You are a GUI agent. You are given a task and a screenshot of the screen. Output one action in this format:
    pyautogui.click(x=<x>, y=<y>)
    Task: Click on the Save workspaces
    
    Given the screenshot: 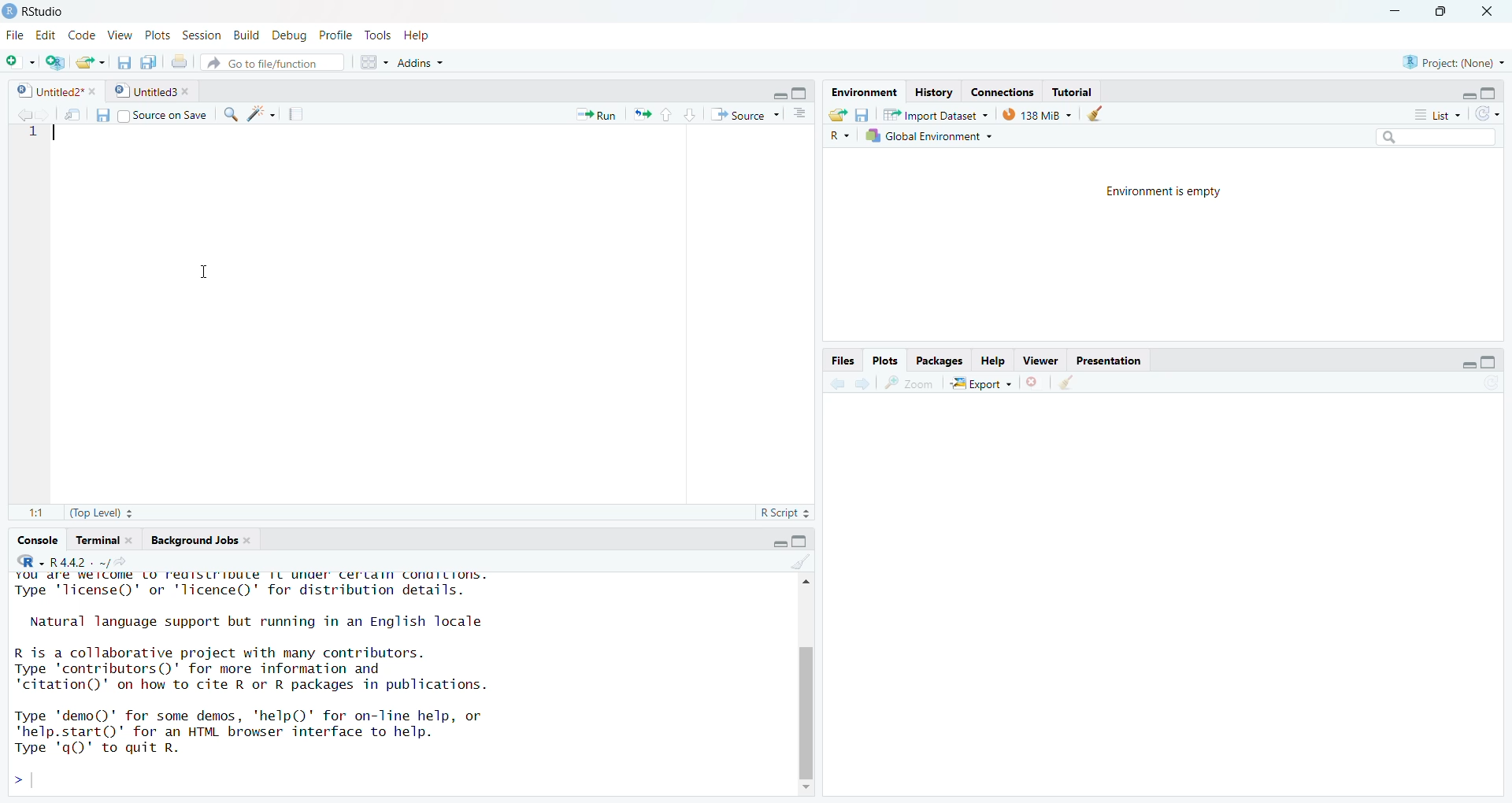 What is the action you would take?
    pyautogui.click(x=866, y=113)
    